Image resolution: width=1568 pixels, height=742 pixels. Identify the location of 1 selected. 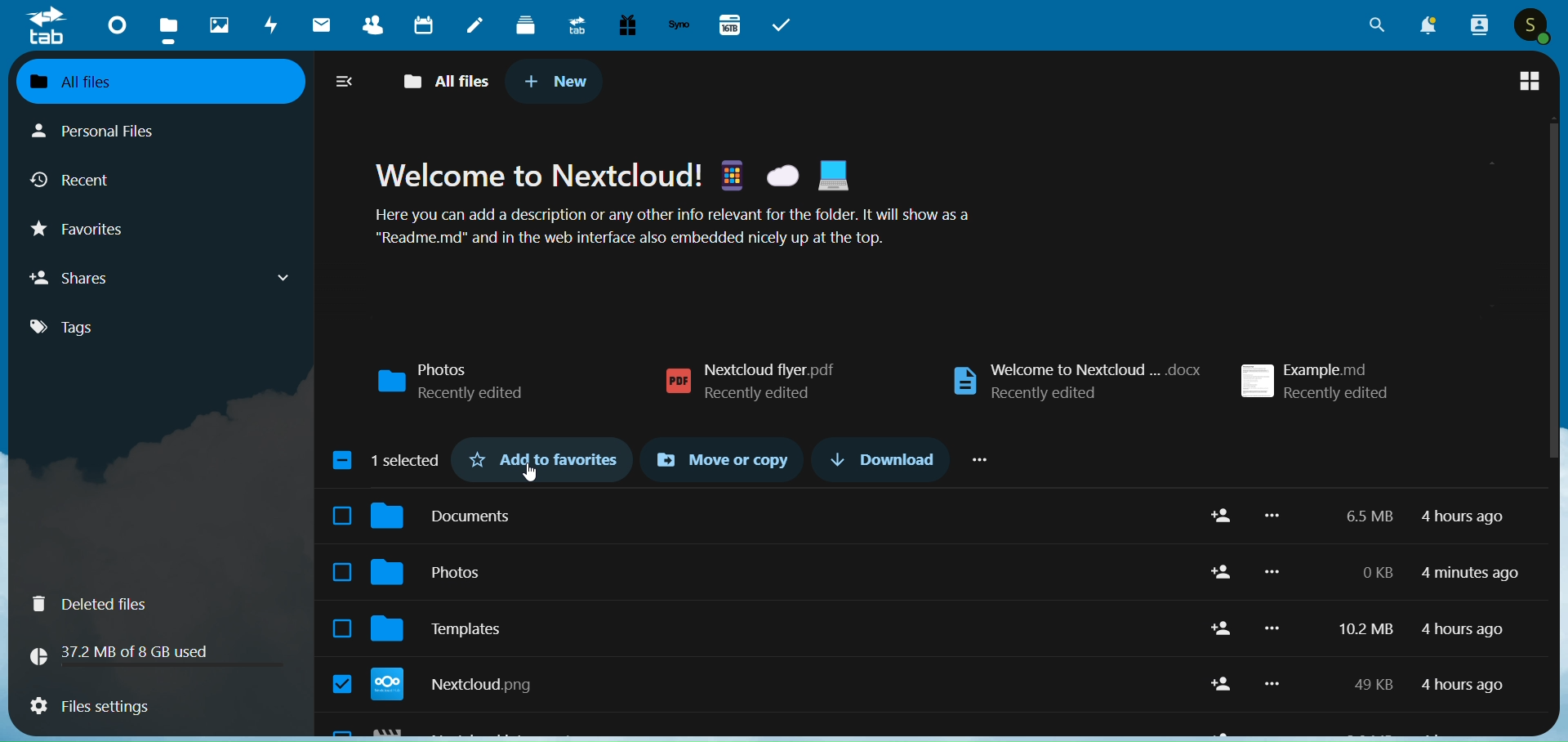
(387, 461).